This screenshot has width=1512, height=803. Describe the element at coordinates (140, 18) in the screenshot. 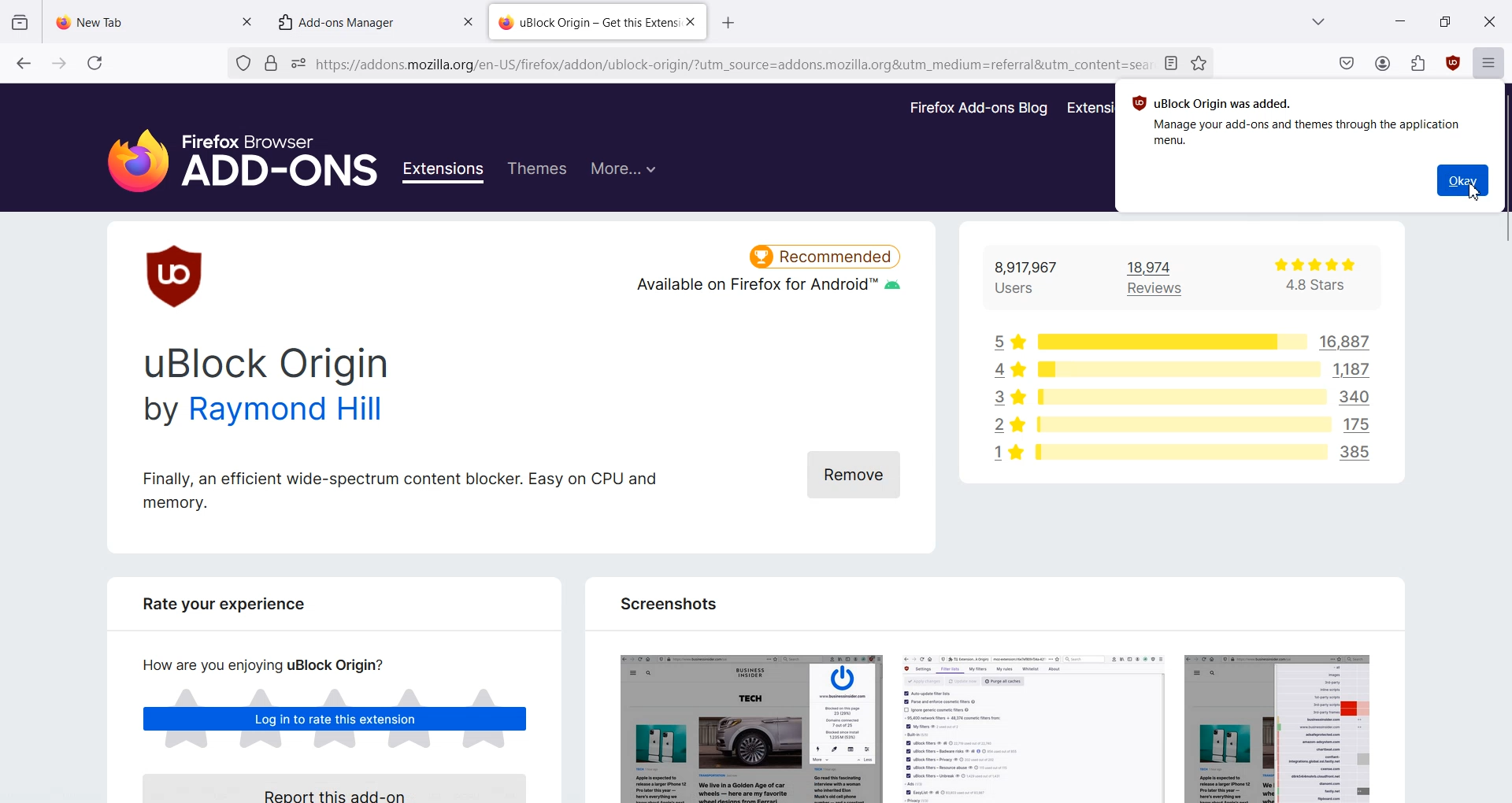

I see `New Tab` at that location.